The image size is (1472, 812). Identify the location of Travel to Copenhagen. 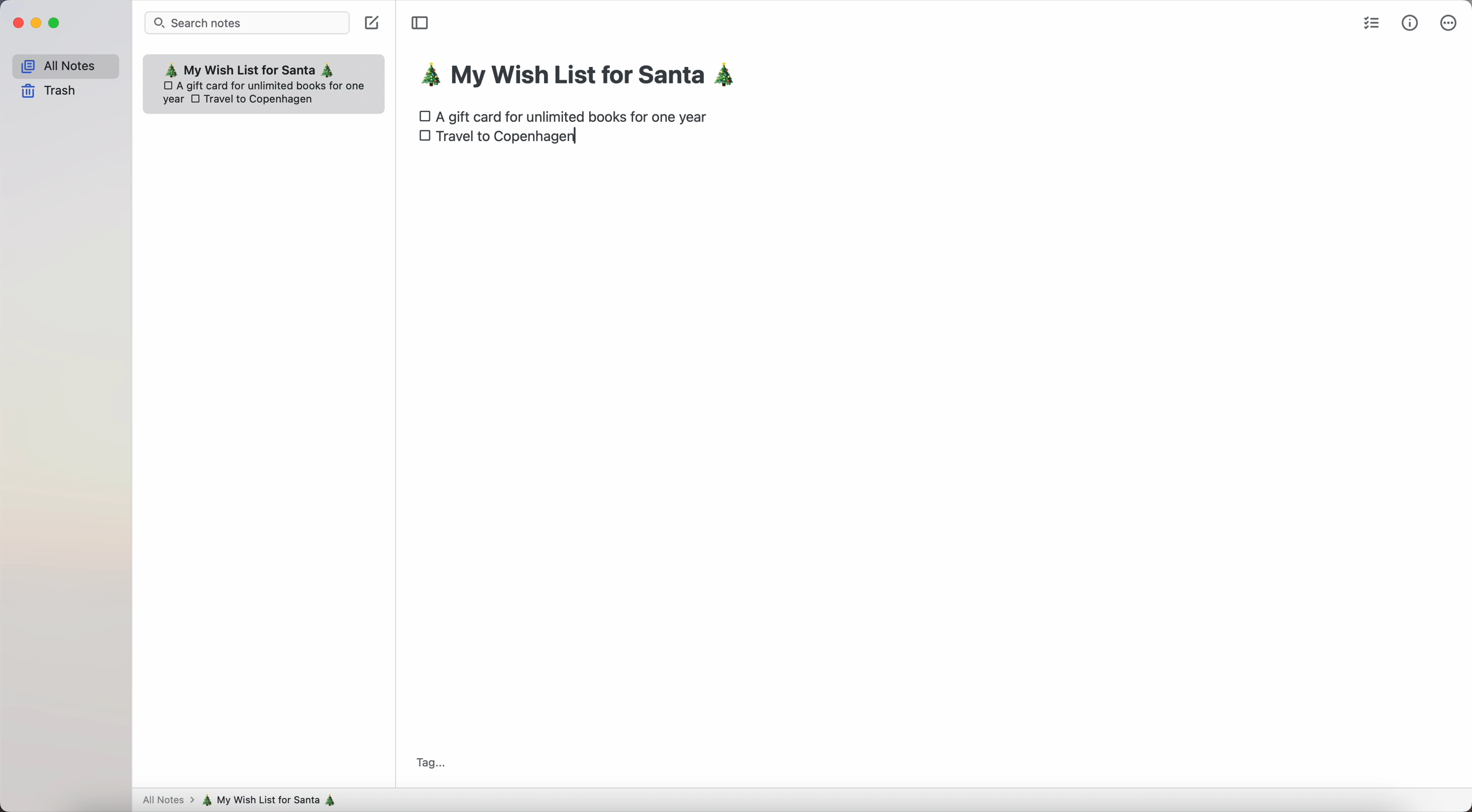
(510, 137).